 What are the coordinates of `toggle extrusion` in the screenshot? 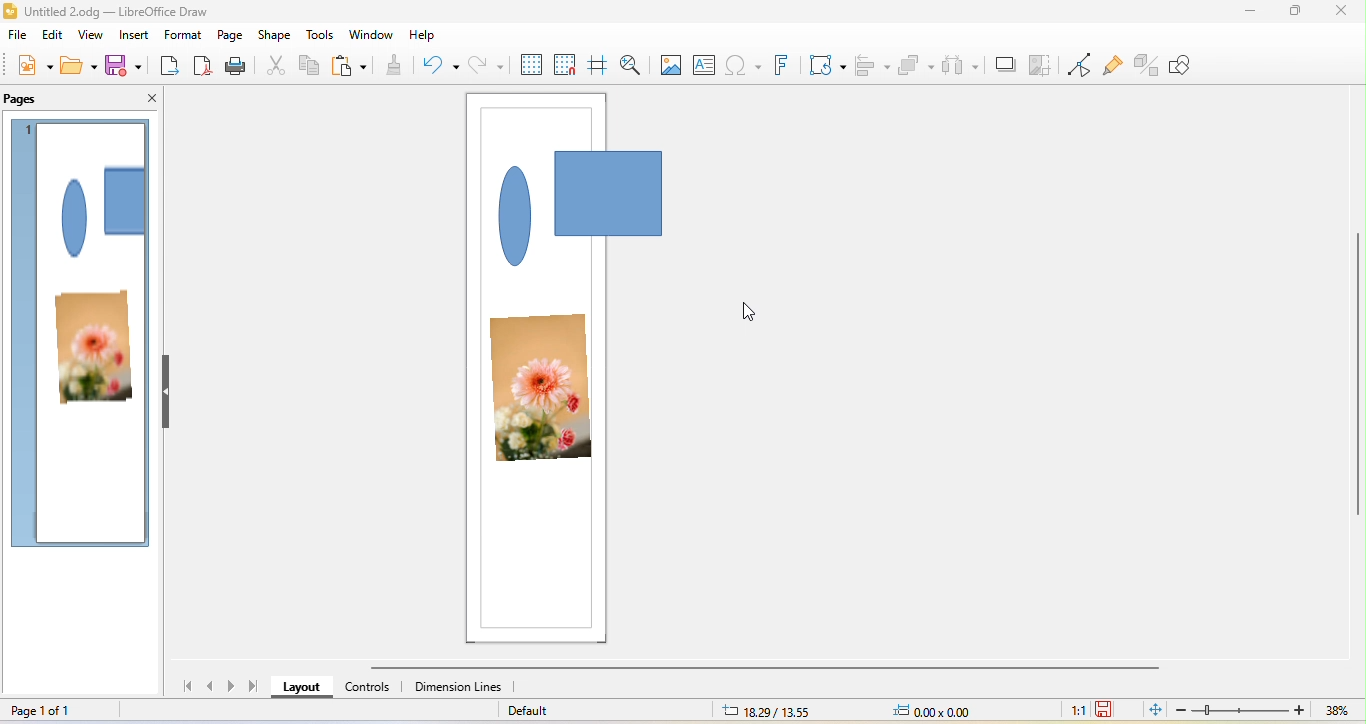 It's located at (1146, 64).